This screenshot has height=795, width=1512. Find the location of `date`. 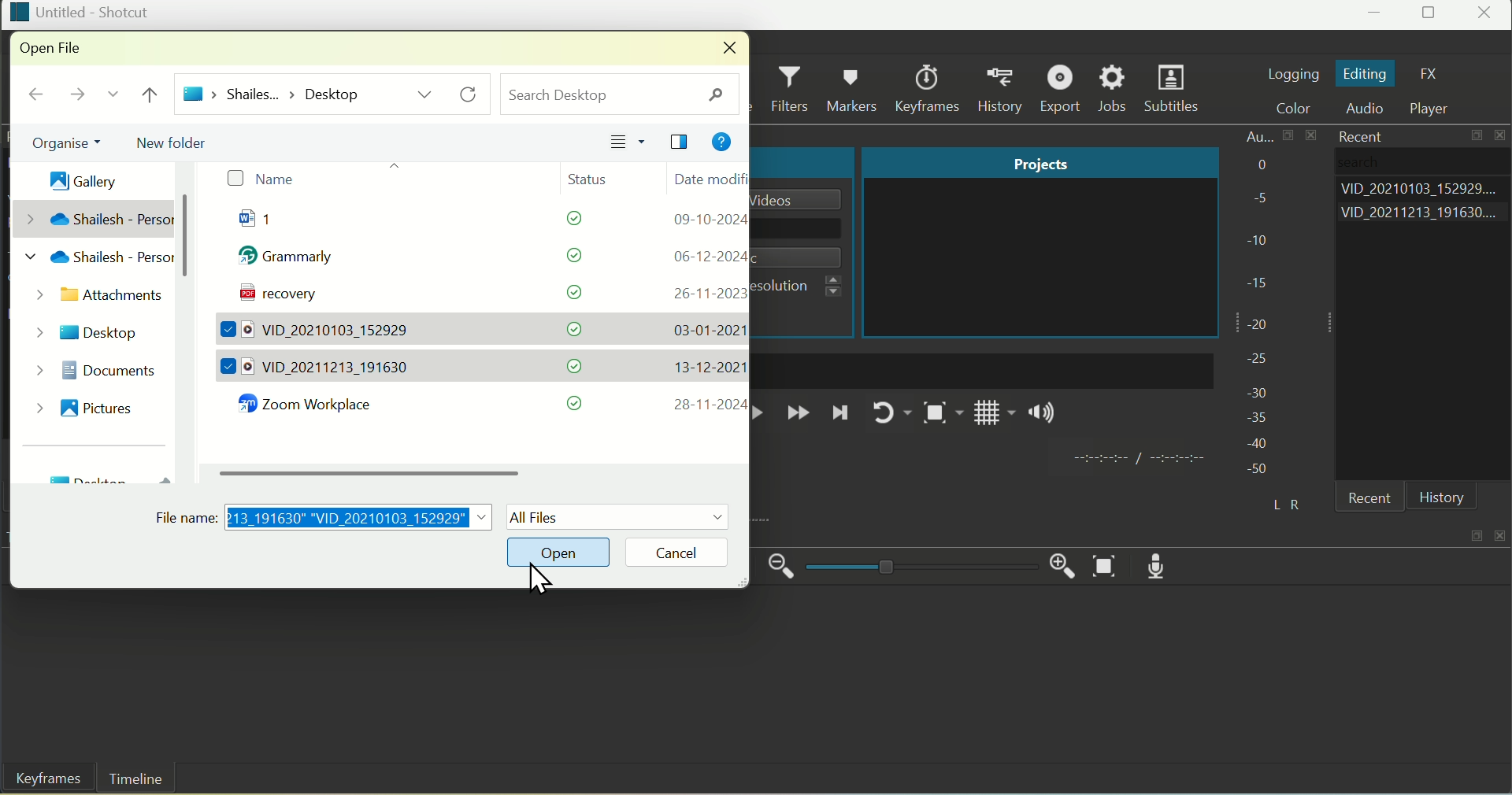

date is located at coordinates (707, 256).